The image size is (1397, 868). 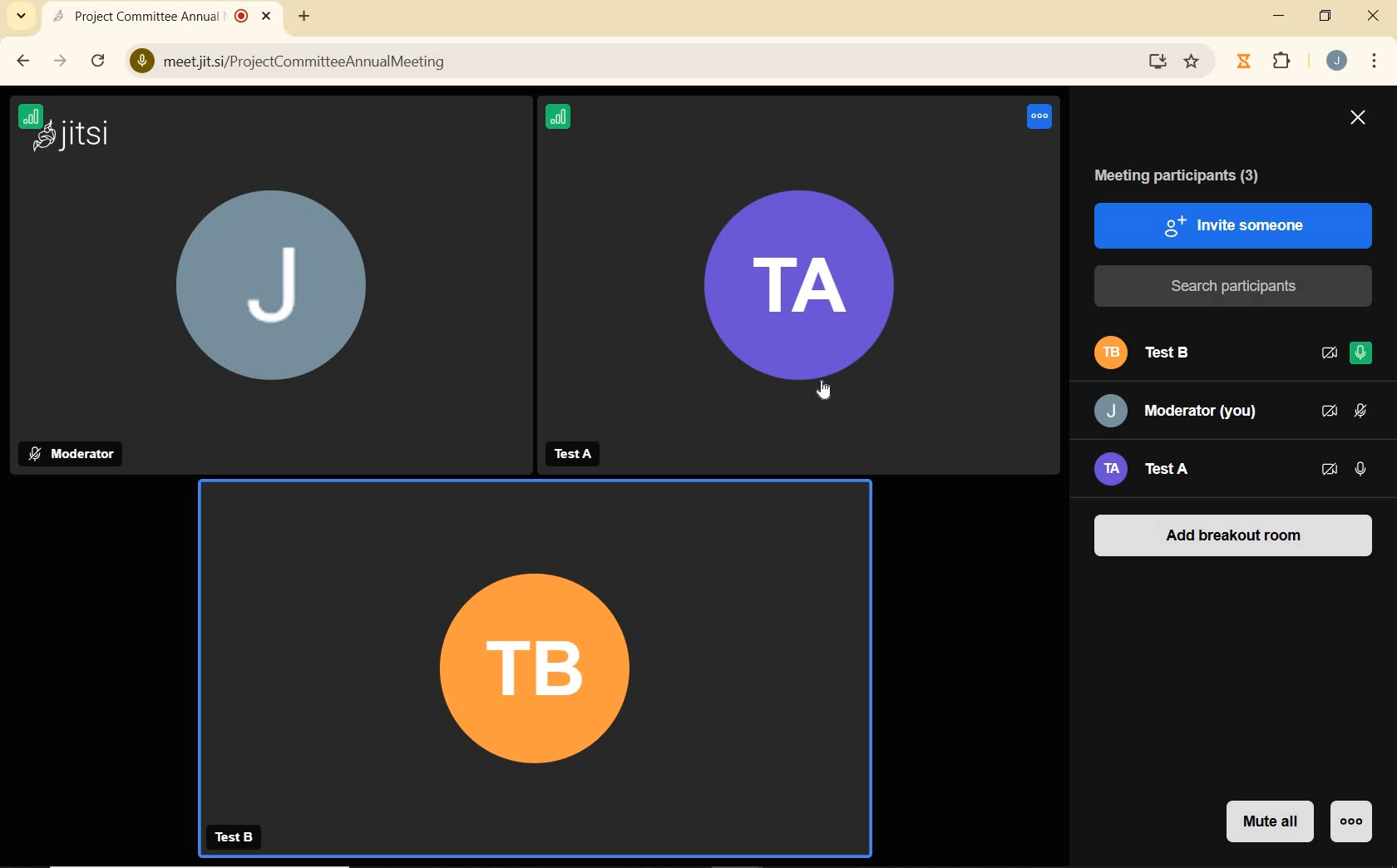 What do you see at coordinates (565, 116) in the screenshot?
I see `Connectivity` at bounding box center [565, 116].